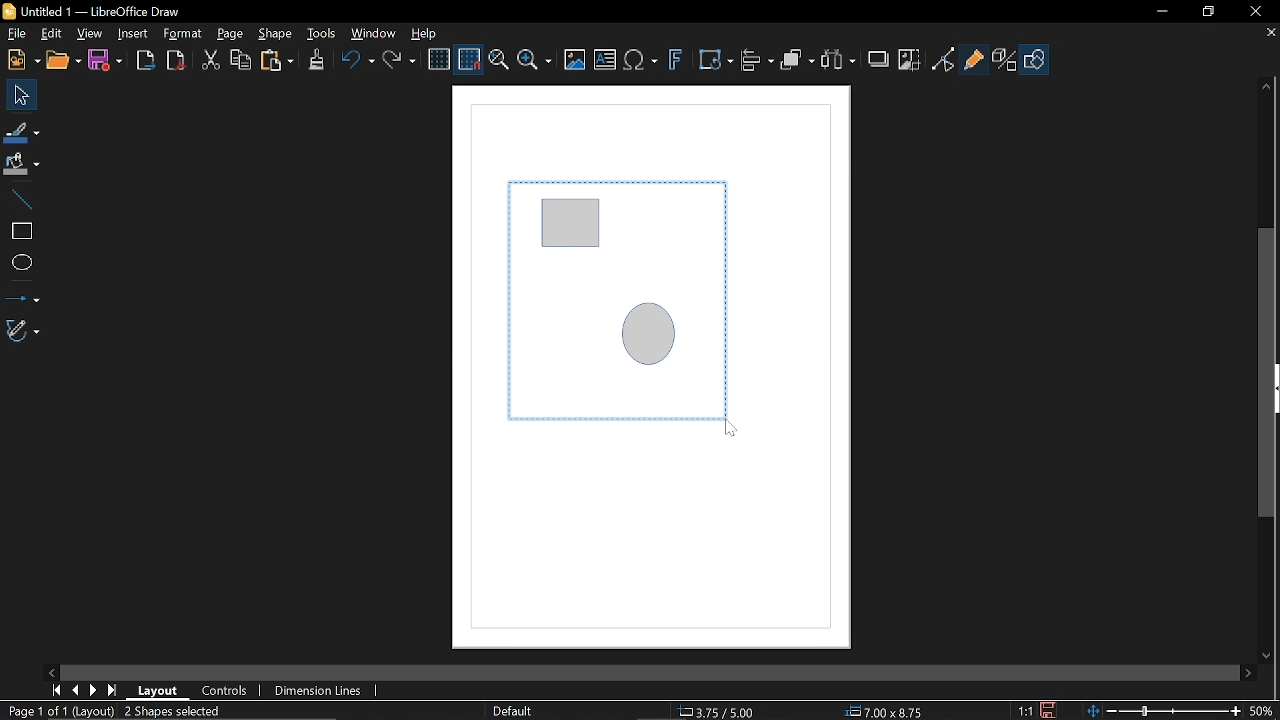 Image resolution: width=1280 pixels, height=720 pixels. What do you see at coordinates (470, 59) in the screenshot?
I see `Snap to grid` at bounding box center [470, 59].